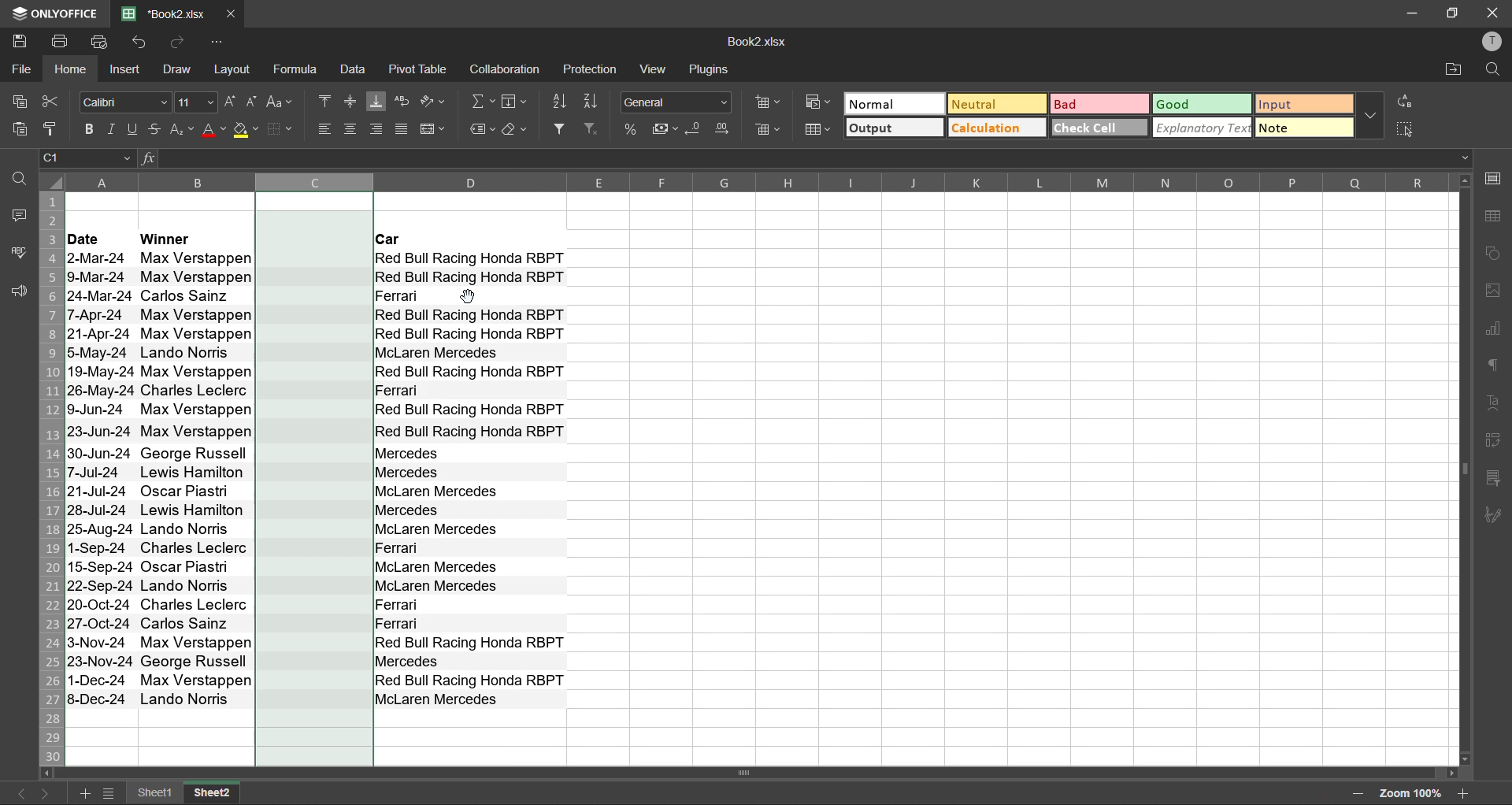 The height and width of the screenshot is (805, 1512). What do you see at coordinates (1452, 13) in the screenshot?
I see `maximize` at bounding box center [1452, 13].